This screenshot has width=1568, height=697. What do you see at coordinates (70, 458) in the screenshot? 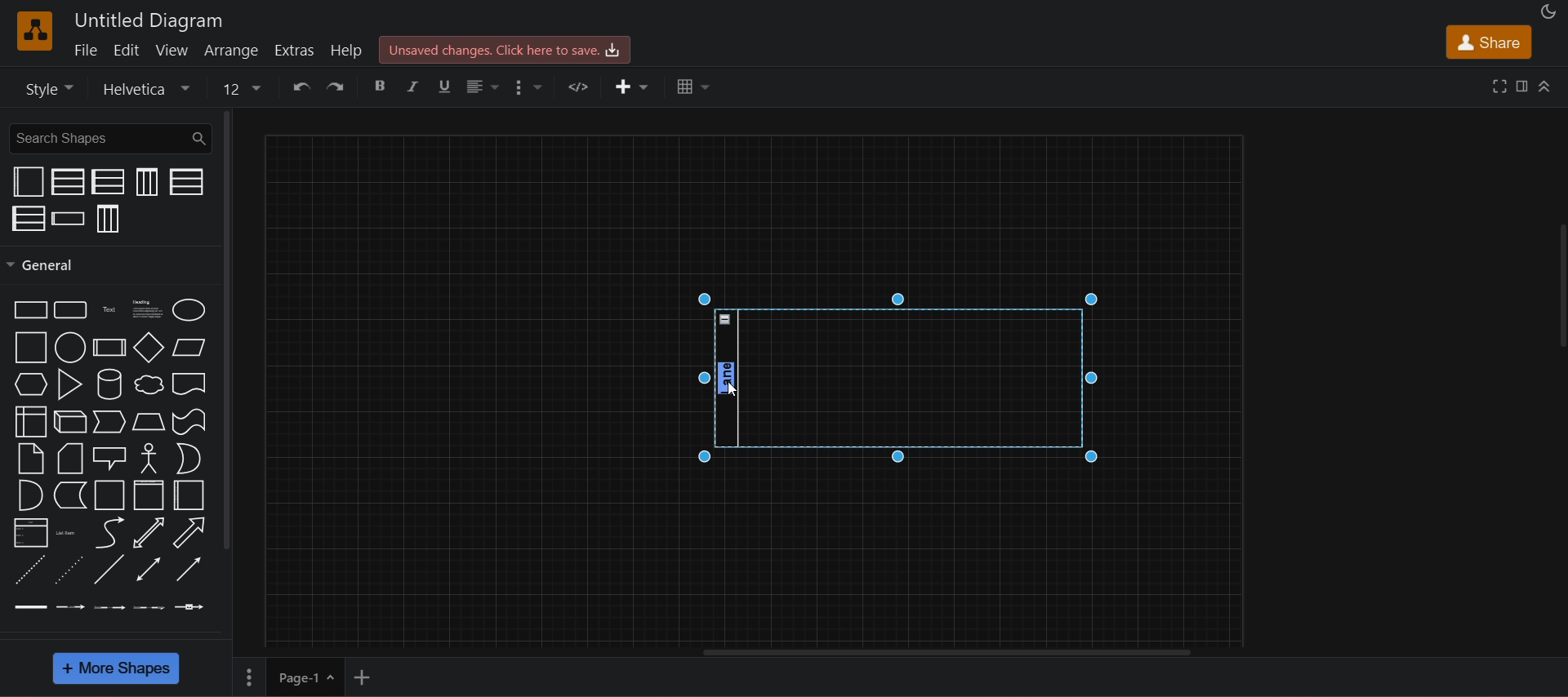
I see `card` at bounding box center [70, 458].